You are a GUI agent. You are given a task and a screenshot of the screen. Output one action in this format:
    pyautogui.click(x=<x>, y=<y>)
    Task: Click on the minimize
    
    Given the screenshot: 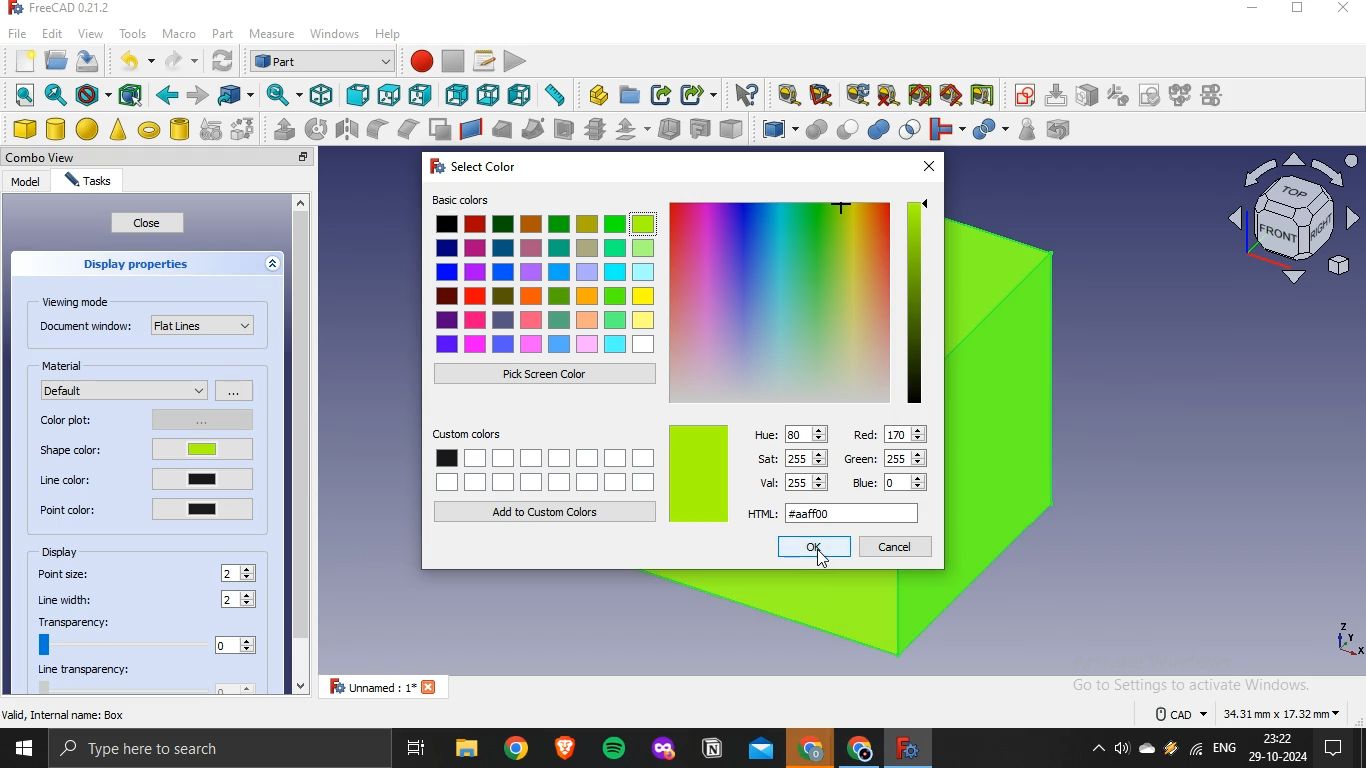 What is the action you would take?
    pyautogui.click(x=1252, y=9)
    